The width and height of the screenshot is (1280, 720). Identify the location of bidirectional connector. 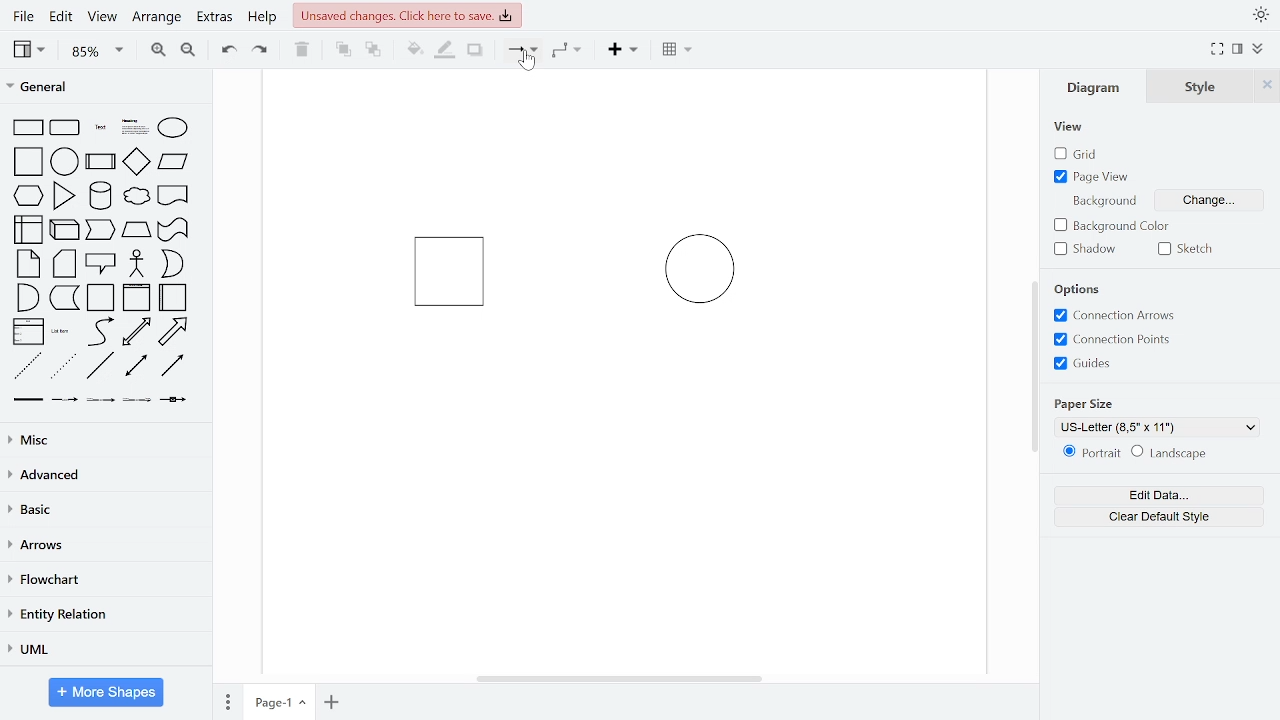
(138, 366).